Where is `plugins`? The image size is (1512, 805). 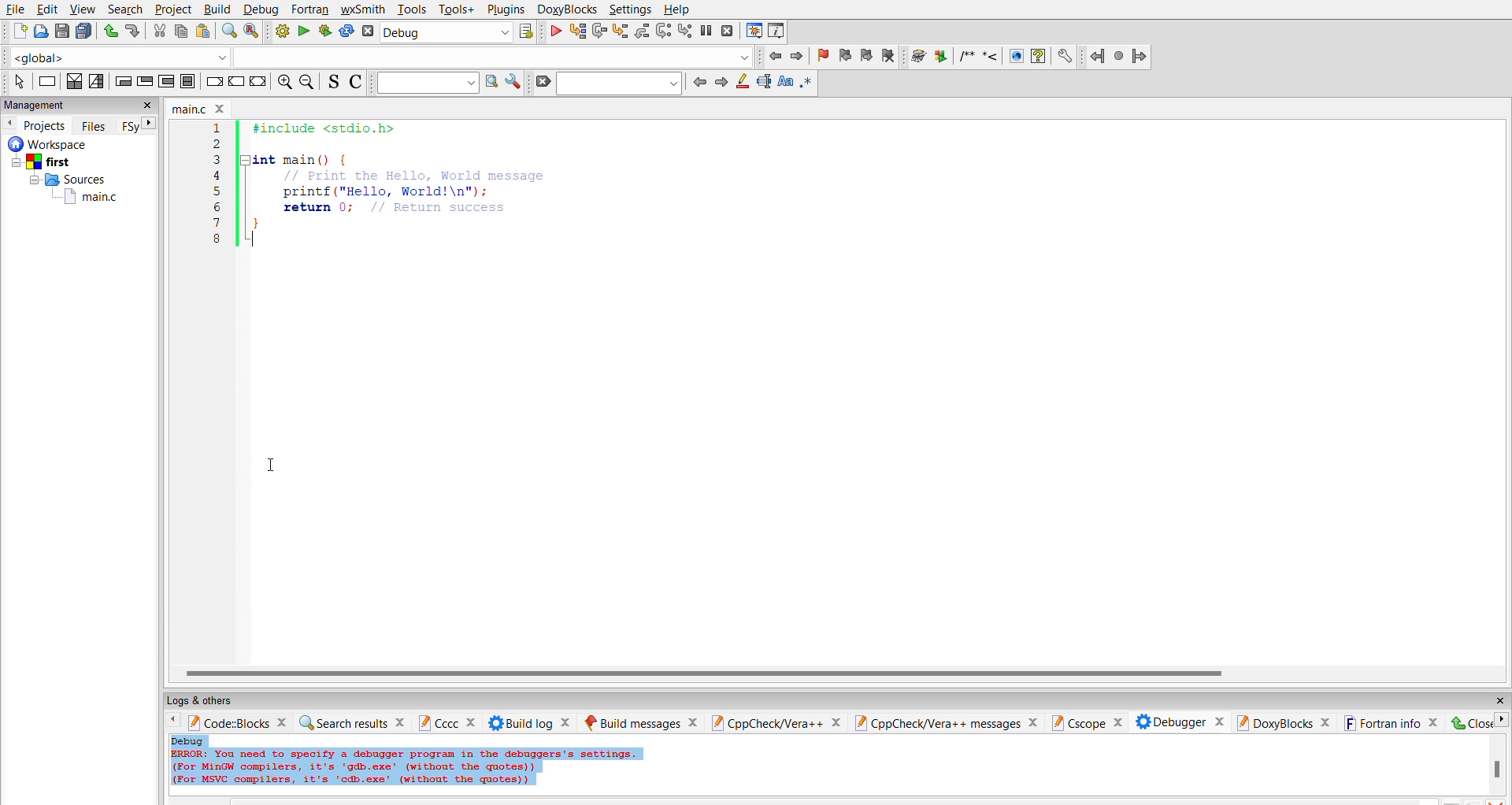
plugins is located at coordinates (504, 9).